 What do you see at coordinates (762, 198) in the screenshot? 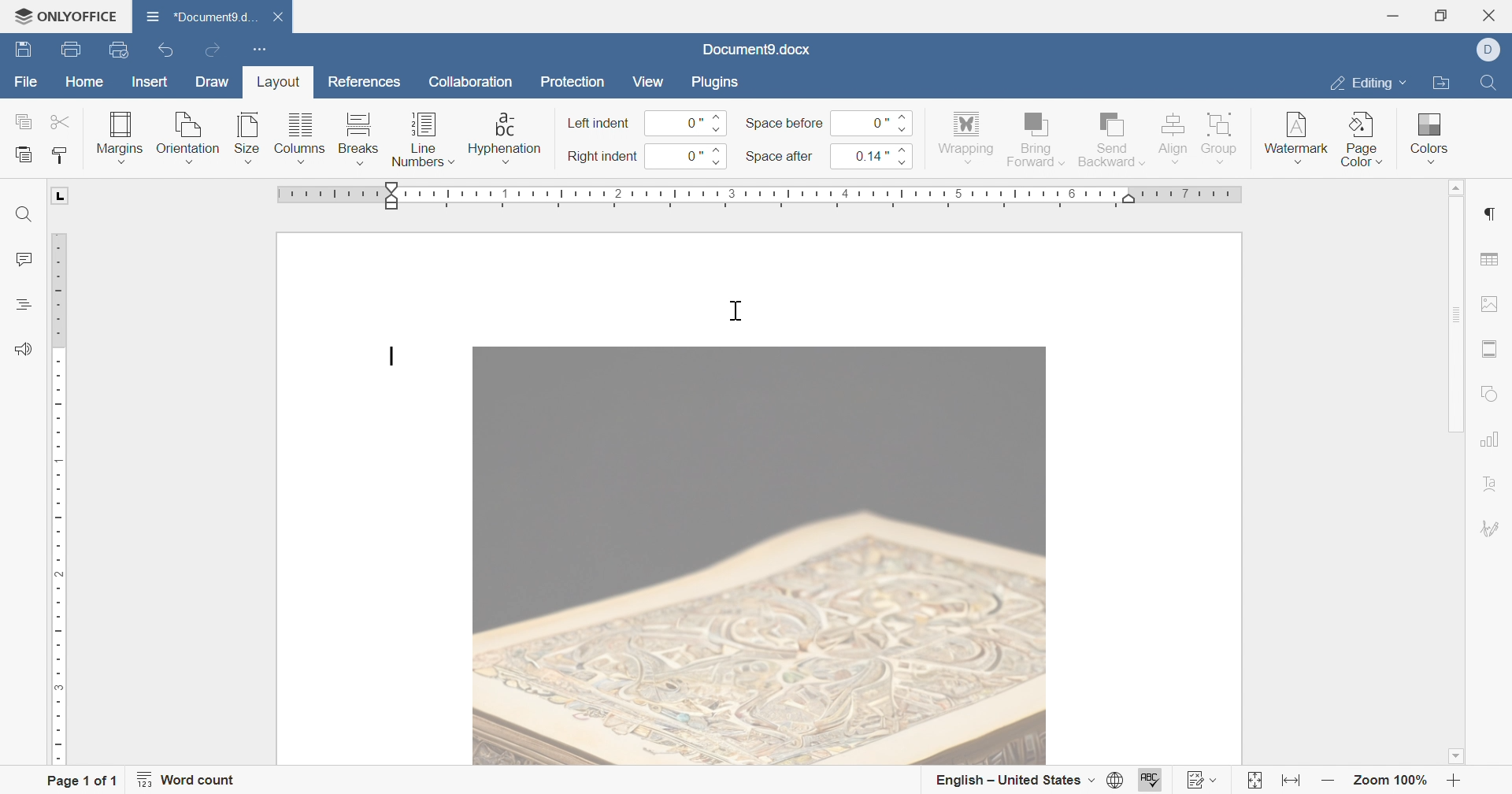
I see `ruler` at bounding box center [762, 198].